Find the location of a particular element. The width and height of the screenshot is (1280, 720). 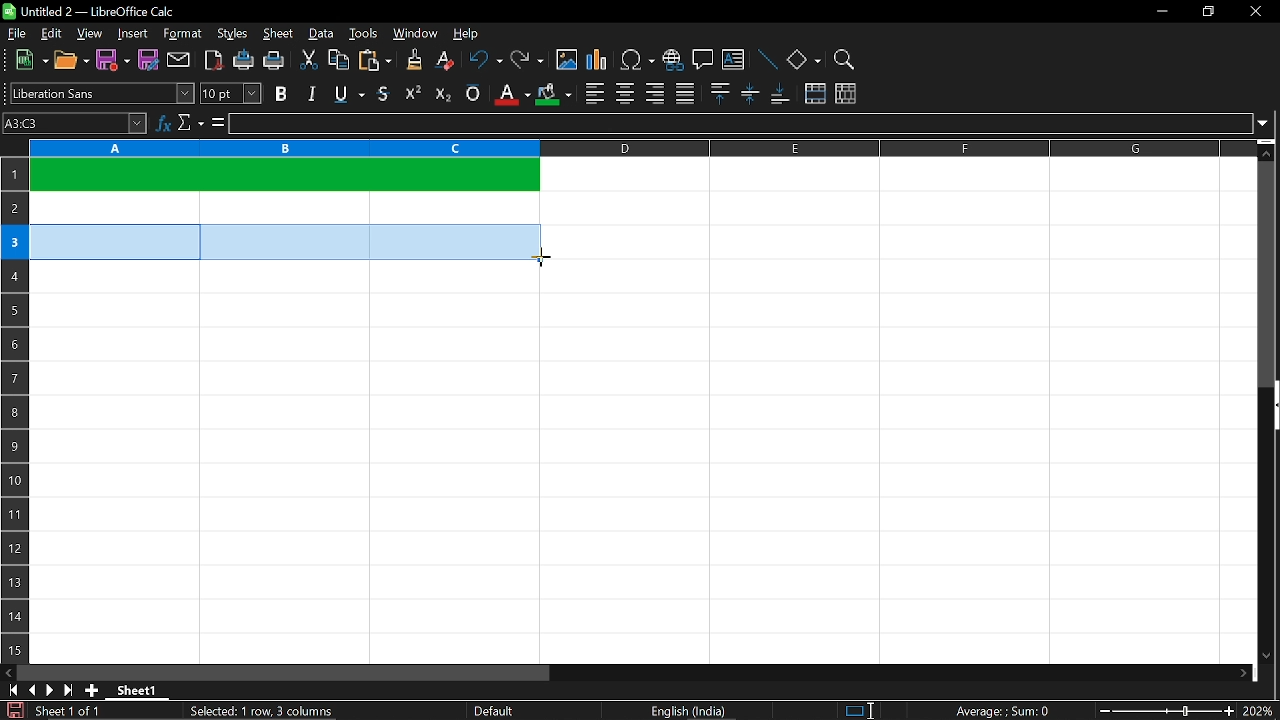

data is located at coordinates (322, 35).